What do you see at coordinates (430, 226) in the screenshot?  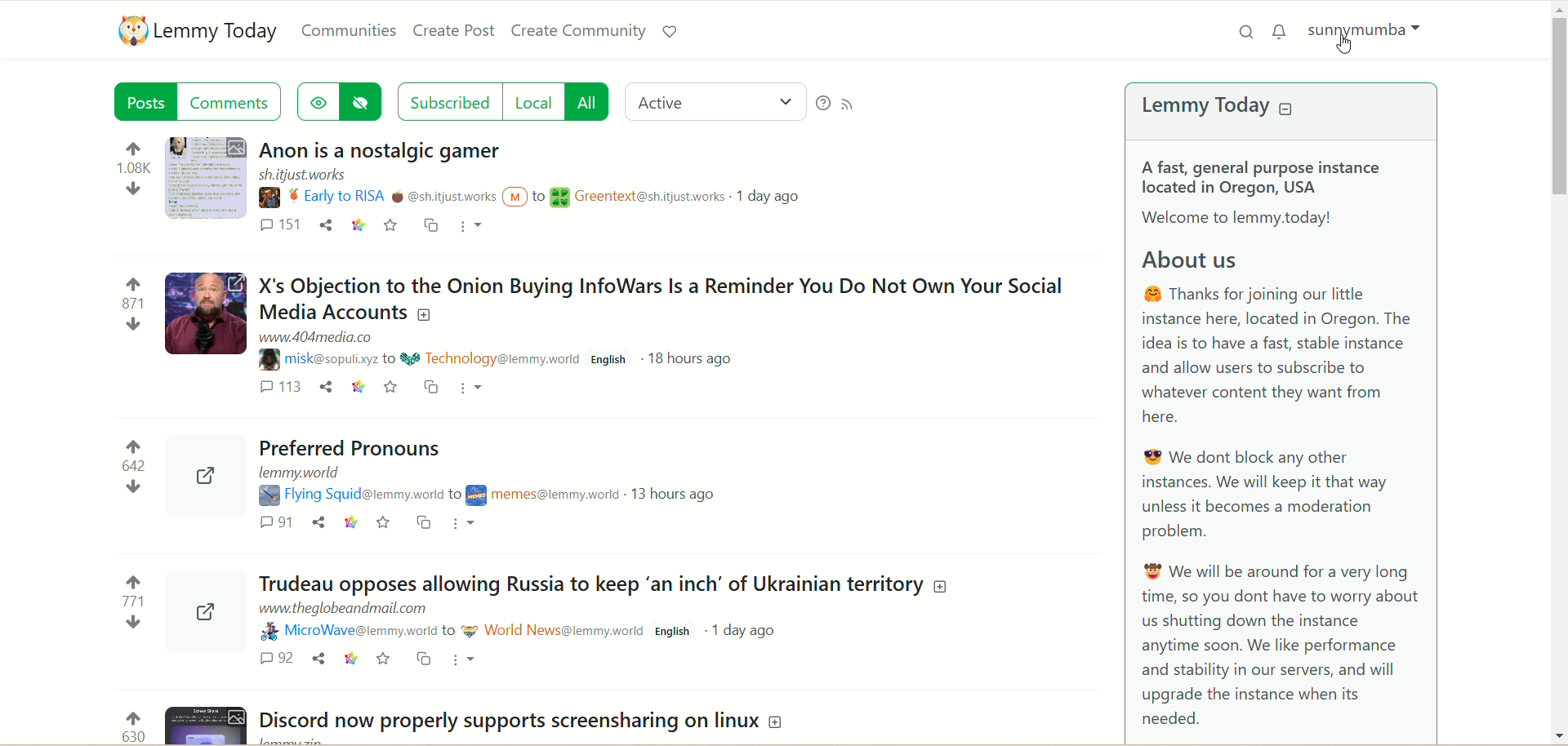 I see `cross-post` at bounding box center [430, 226].